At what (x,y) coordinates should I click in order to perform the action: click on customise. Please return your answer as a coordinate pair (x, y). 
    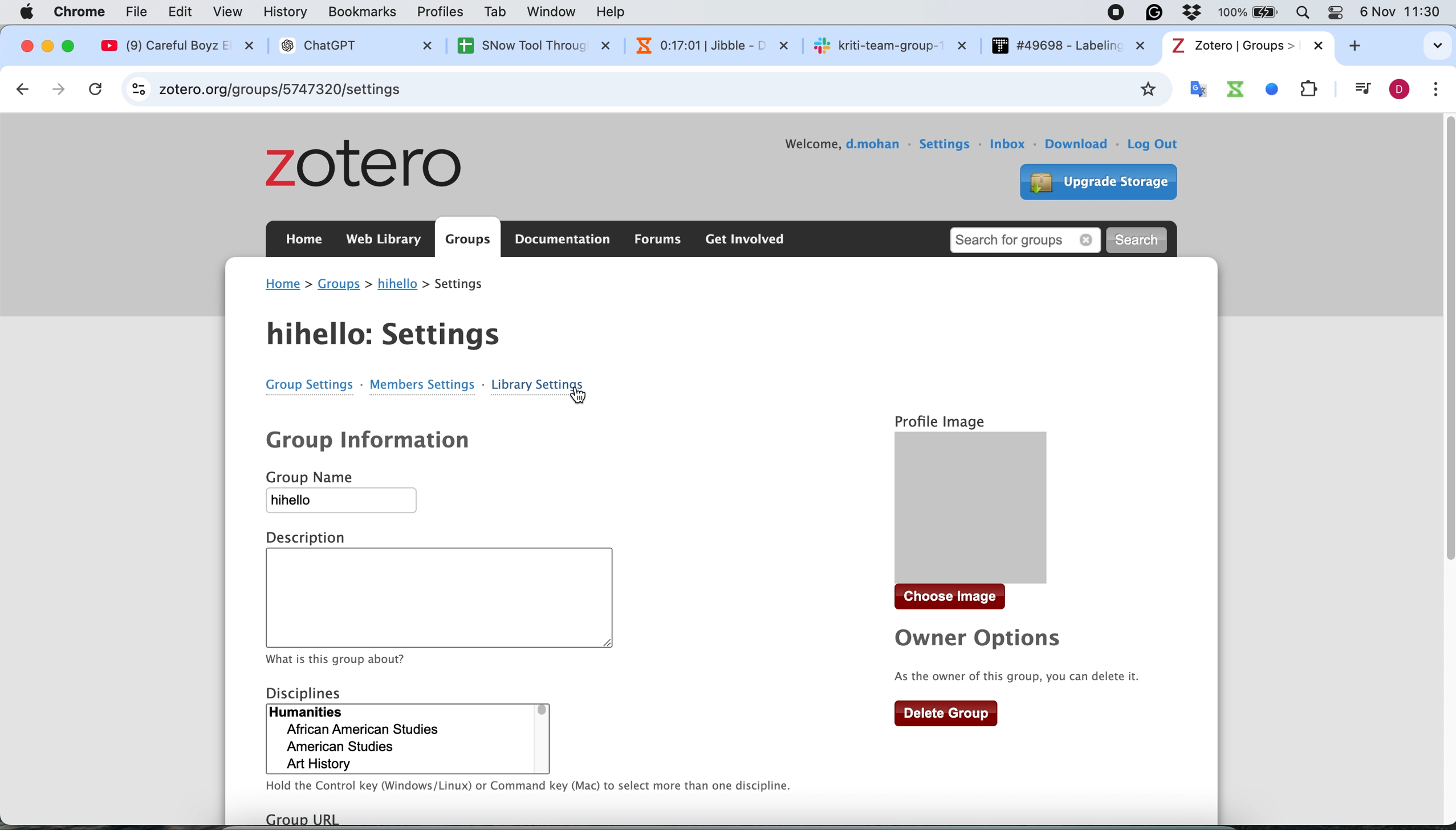
    Looking at the image, I should click on (1441, 90).